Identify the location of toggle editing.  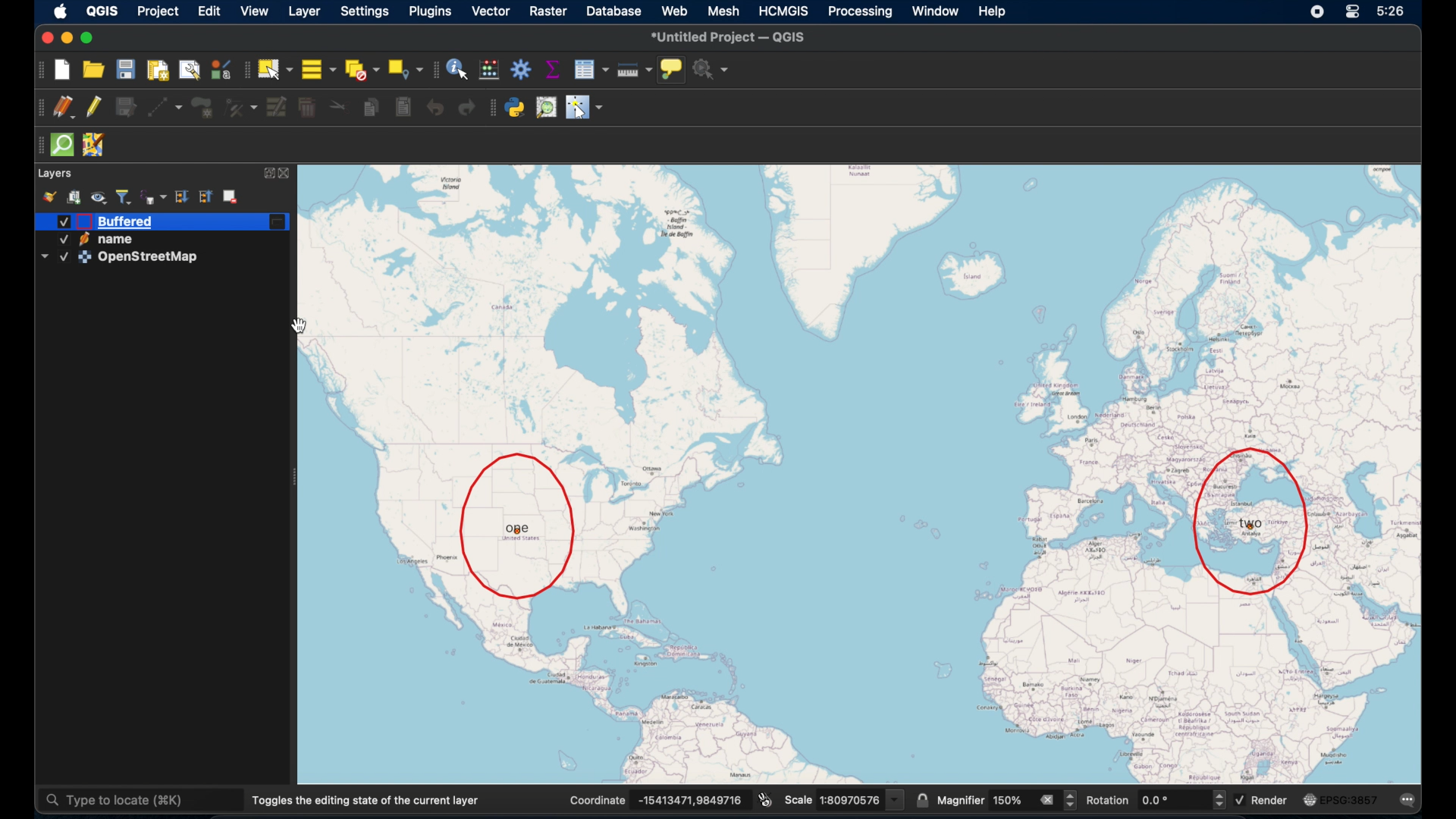
(95, 106).